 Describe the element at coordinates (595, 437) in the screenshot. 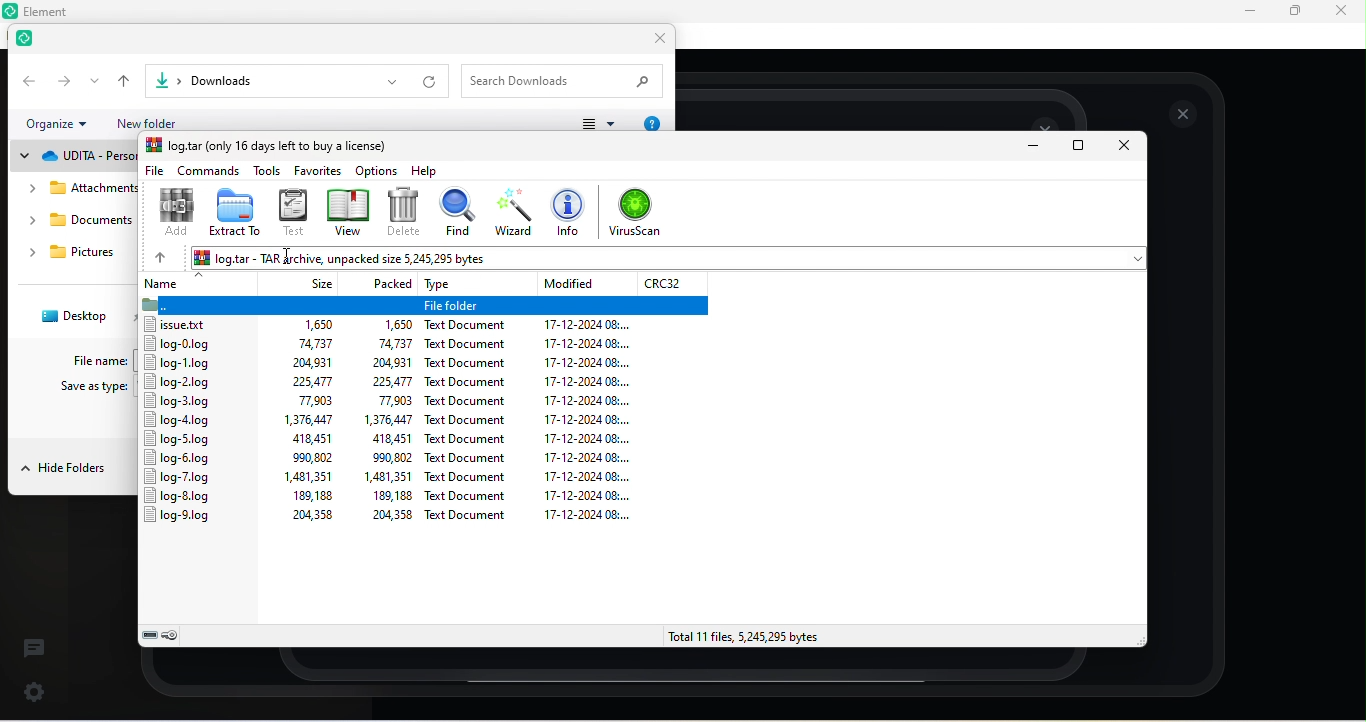

I see `17-12-2024 08:...` at that location.